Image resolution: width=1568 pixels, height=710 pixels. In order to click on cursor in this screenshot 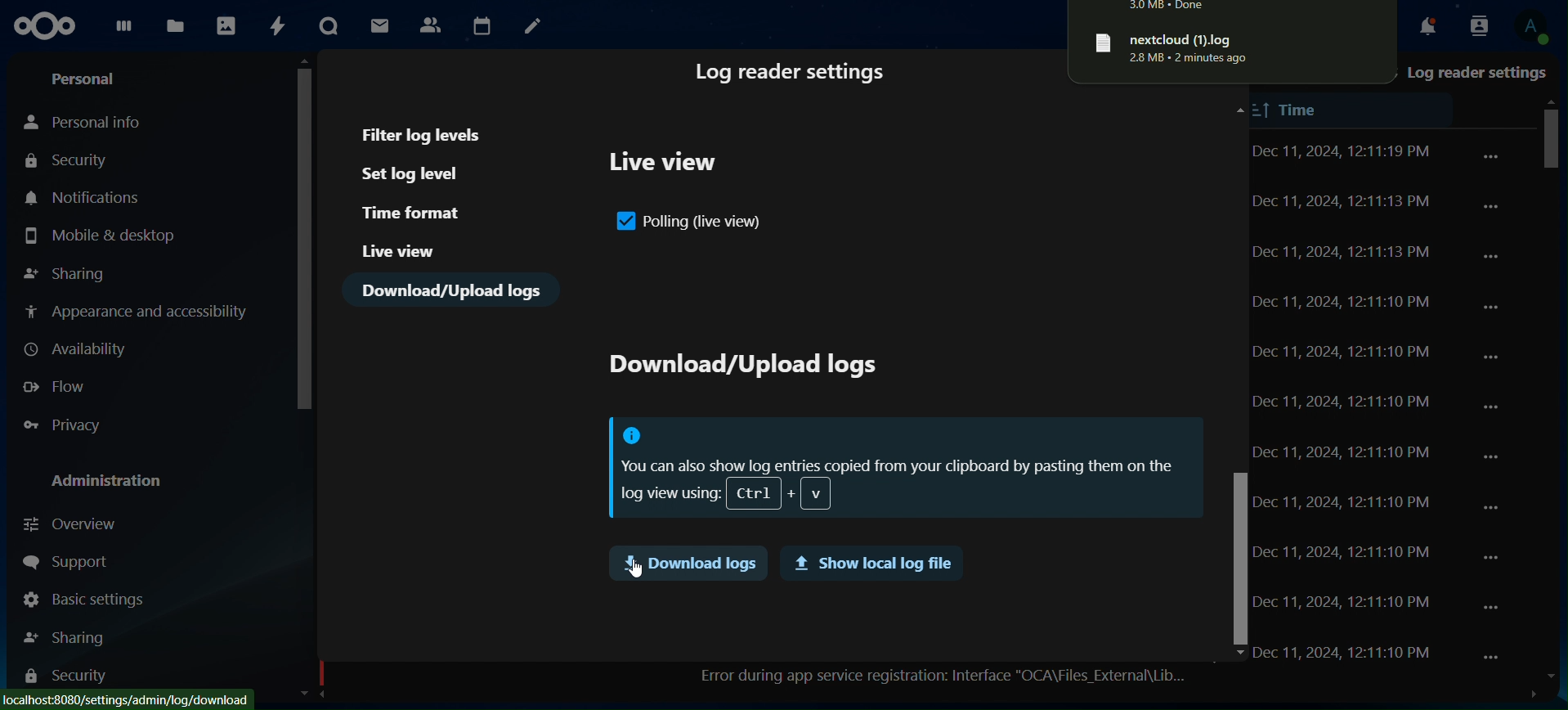, I will do `click(637, 568)`.